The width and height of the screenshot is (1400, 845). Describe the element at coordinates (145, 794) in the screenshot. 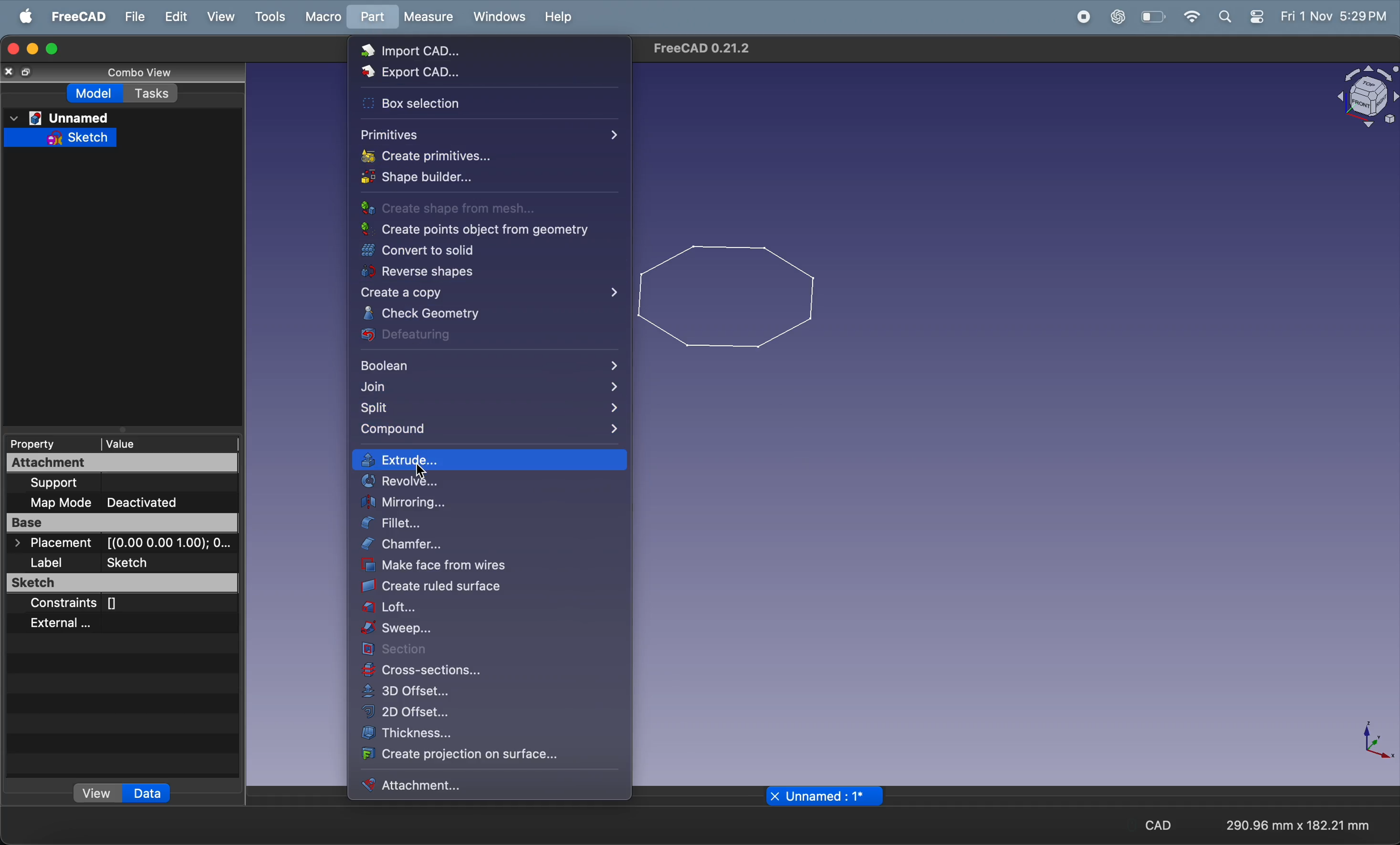

I see `data` at that location.